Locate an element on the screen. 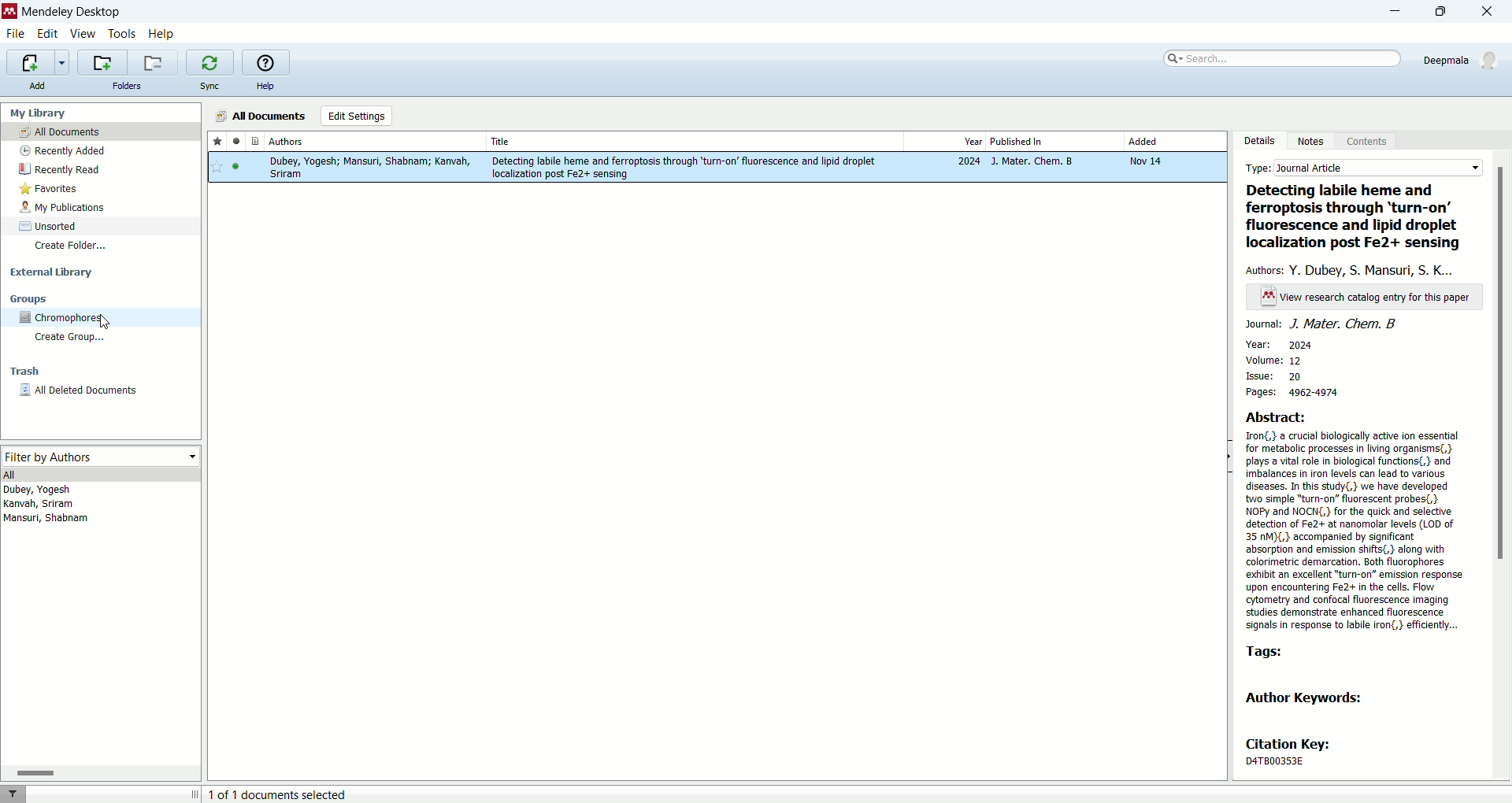 The width and height of the screenshot is (1512, 803). remove current library is located at coordinates (154, 62).